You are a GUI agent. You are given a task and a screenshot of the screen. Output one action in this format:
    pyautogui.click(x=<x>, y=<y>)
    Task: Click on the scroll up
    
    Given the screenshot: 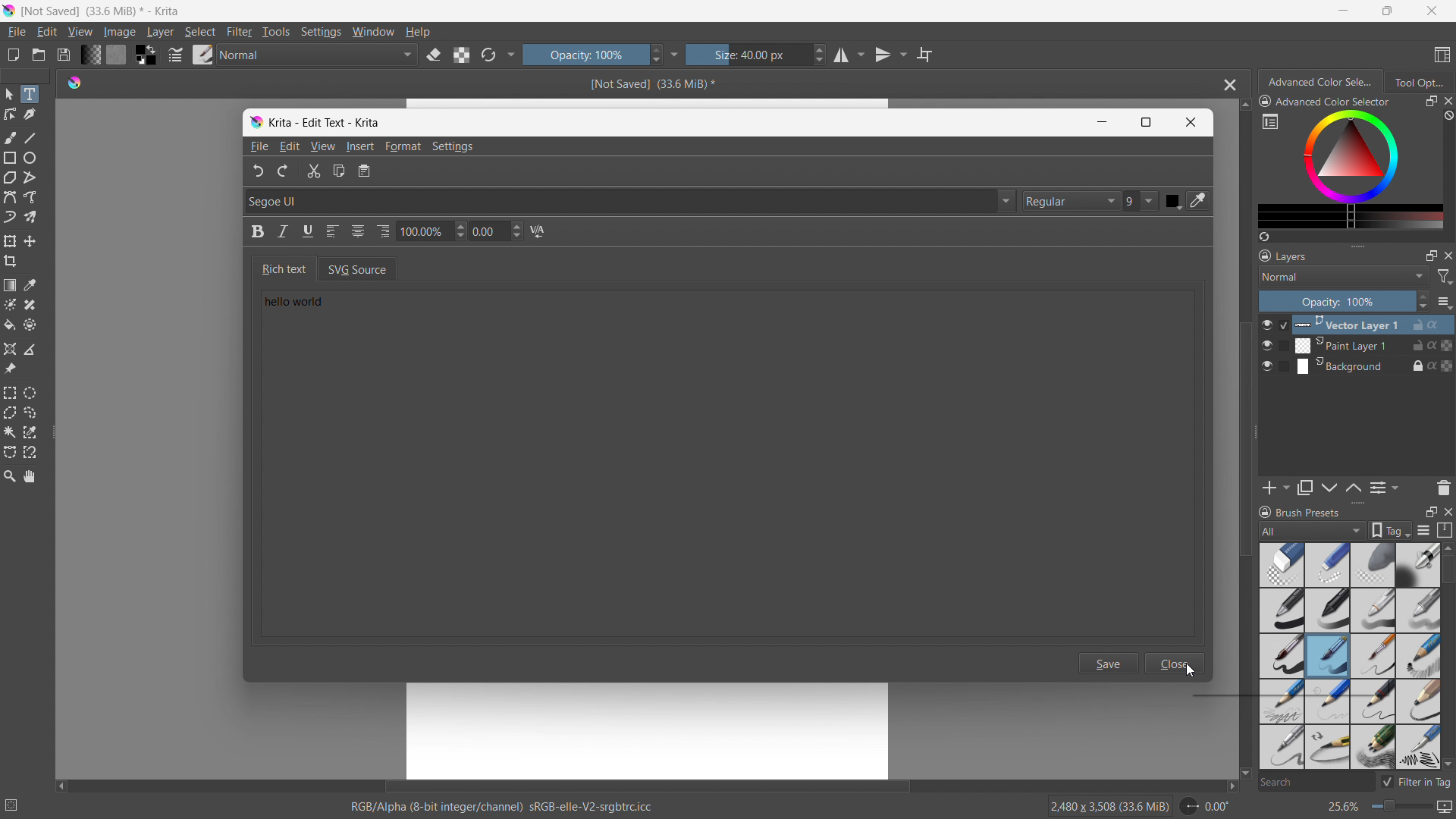 What is the action you would take?
    pyautogui.click(x=1244, y=105)
    